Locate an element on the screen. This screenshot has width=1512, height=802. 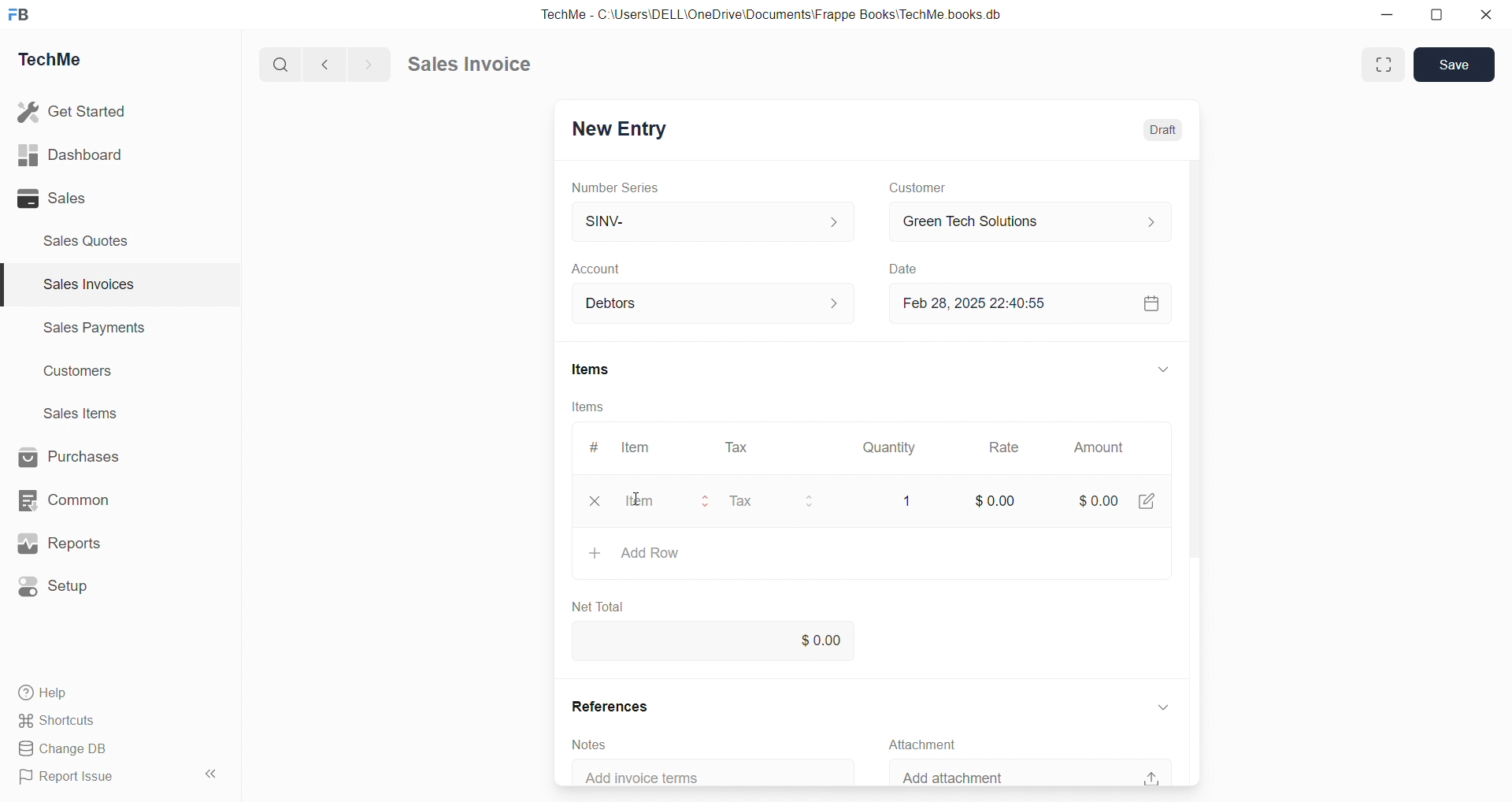
Help is located at coordinates (46, 693).